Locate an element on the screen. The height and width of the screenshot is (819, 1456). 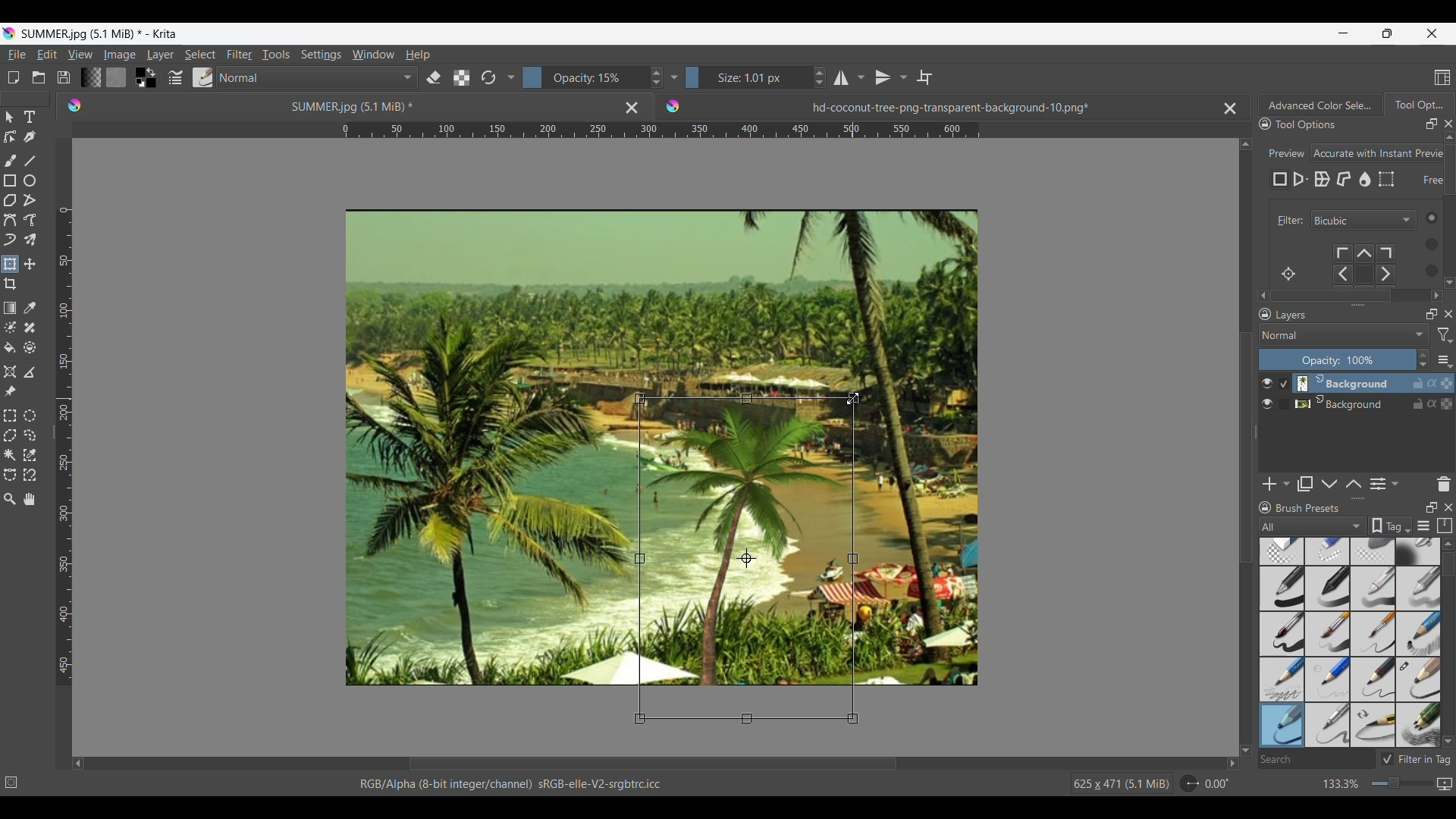
Edit layer properties is located at coordinates (1378, 485).